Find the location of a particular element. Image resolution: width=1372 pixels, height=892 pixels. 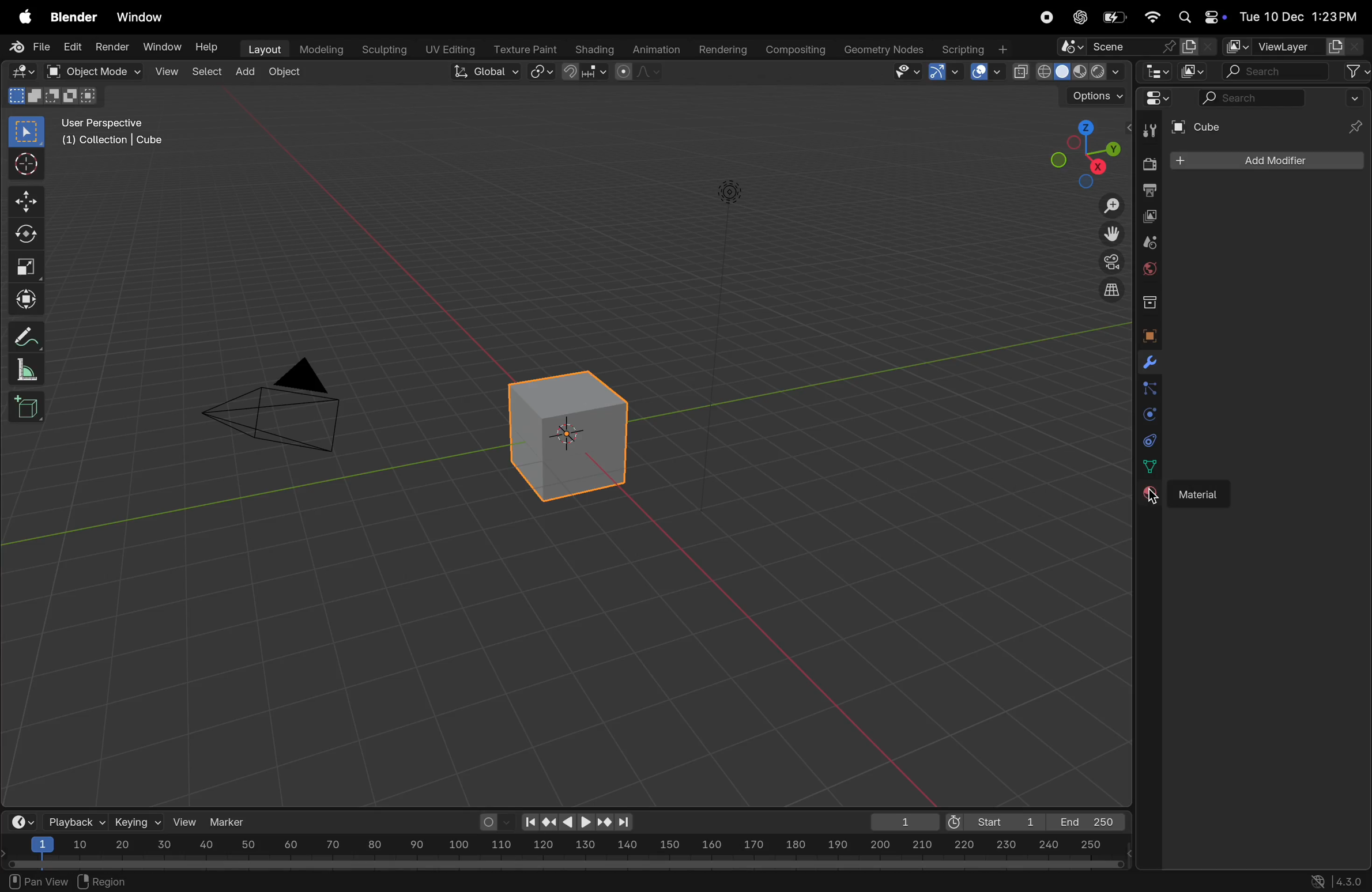

cube is located at coordinates (1234, 126).